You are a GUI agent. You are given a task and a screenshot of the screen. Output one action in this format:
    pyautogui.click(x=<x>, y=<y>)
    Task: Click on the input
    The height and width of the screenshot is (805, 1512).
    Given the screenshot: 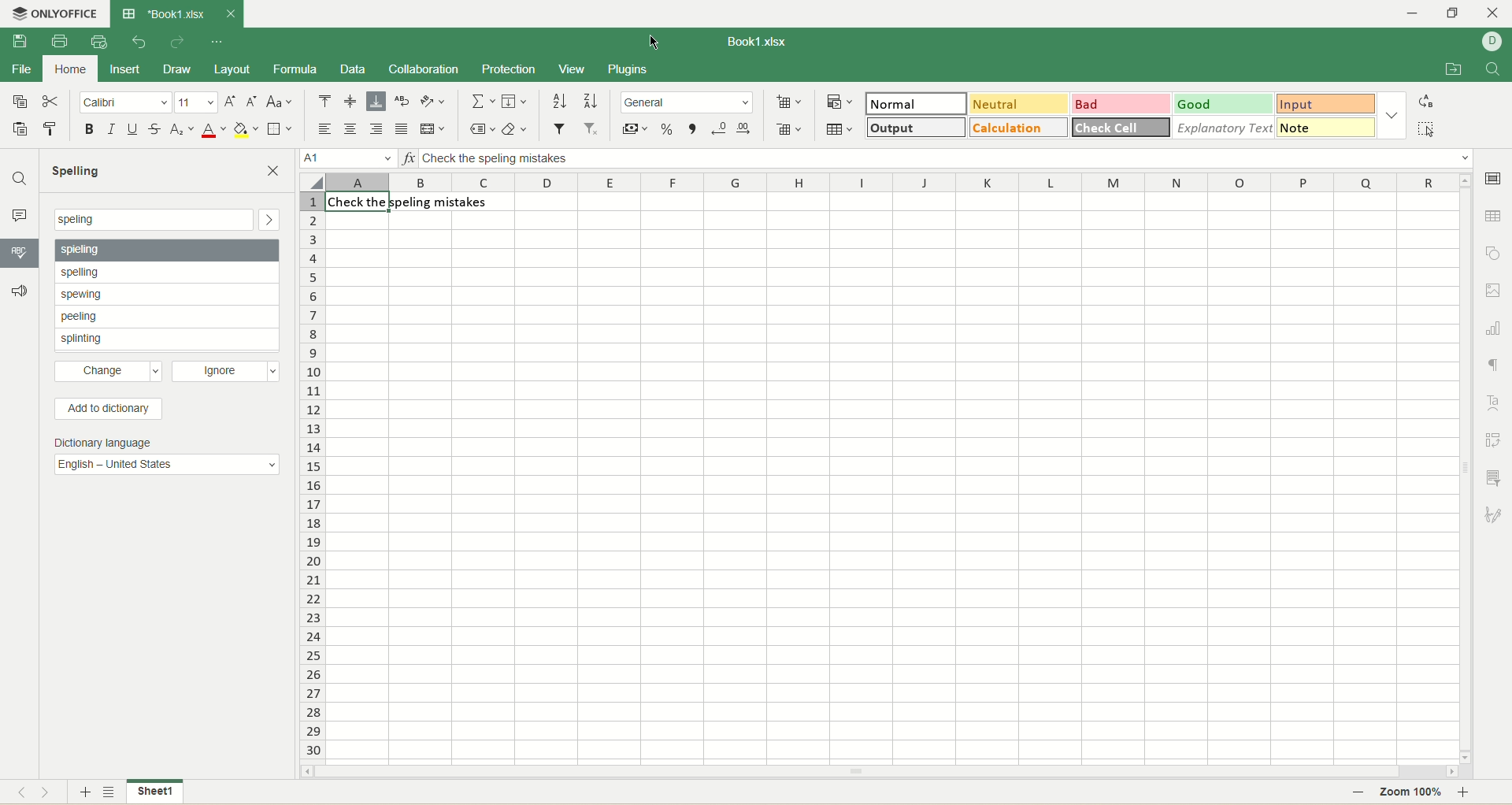 What is the action you would take?
    pyautogui.click(x=1325, y=102)
    